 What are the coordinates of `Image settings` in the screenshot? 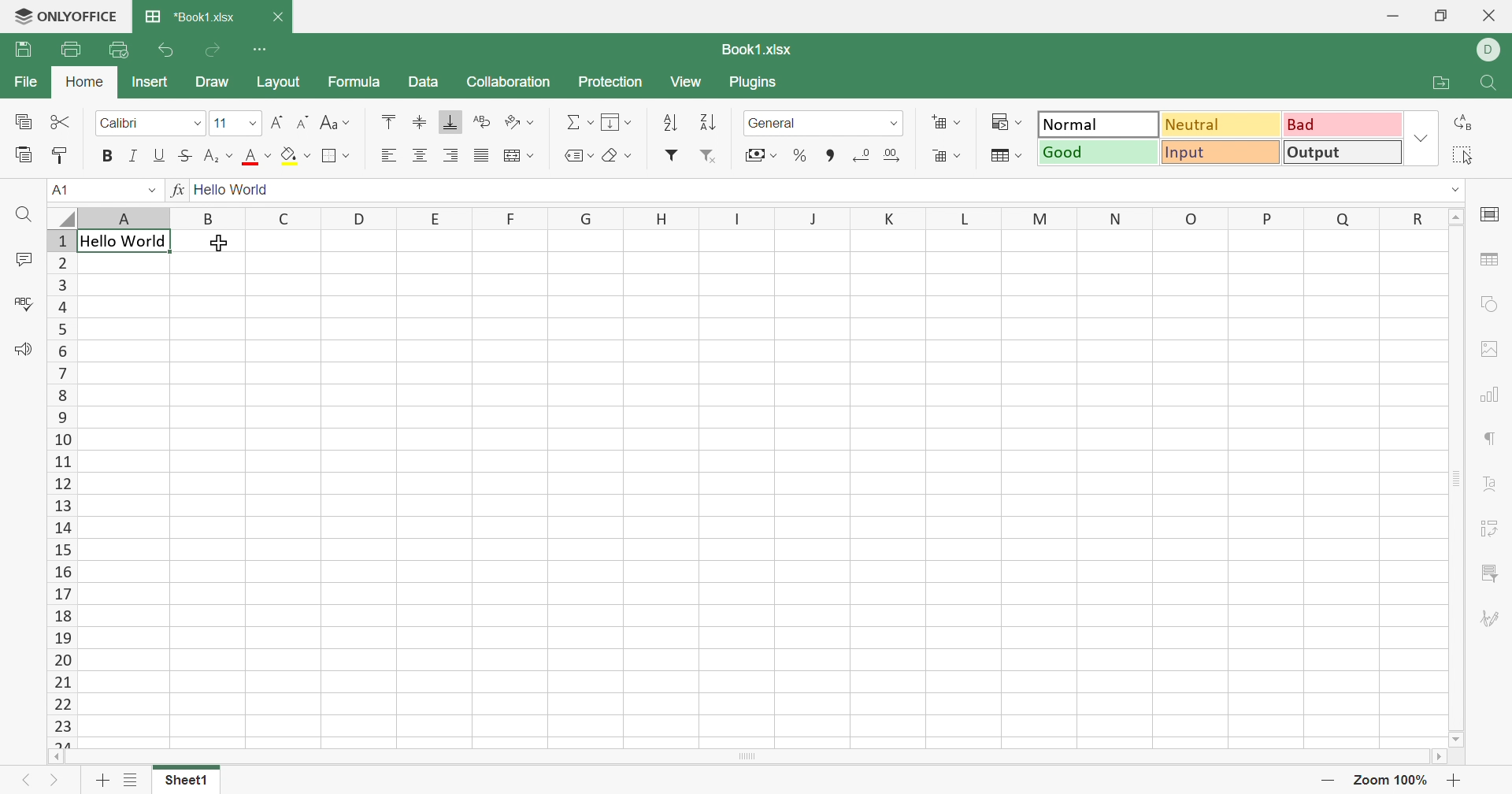 It's located at (1494, 348).